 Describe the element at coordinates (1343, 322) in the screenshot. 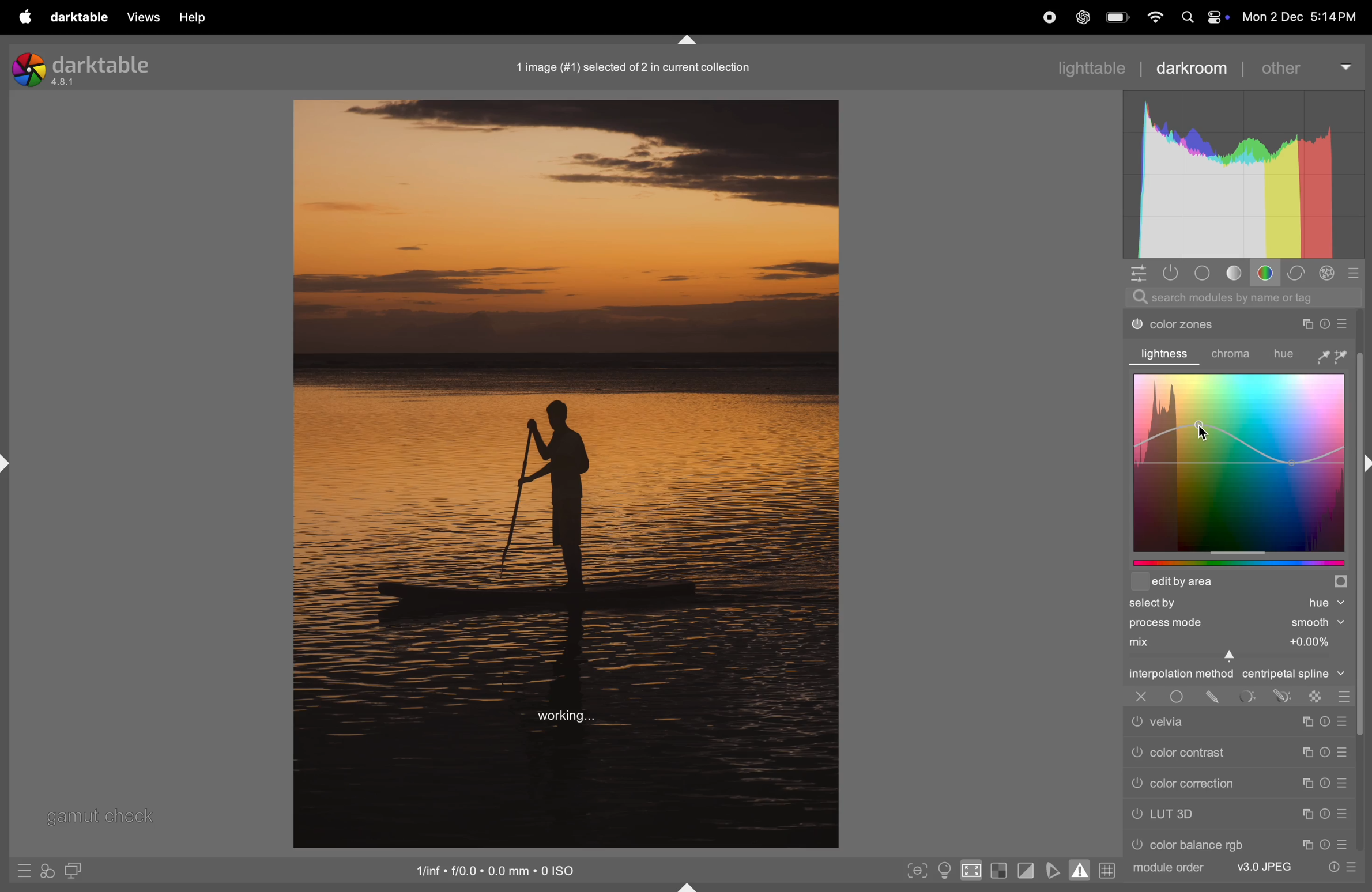

I see `preset` at that location.